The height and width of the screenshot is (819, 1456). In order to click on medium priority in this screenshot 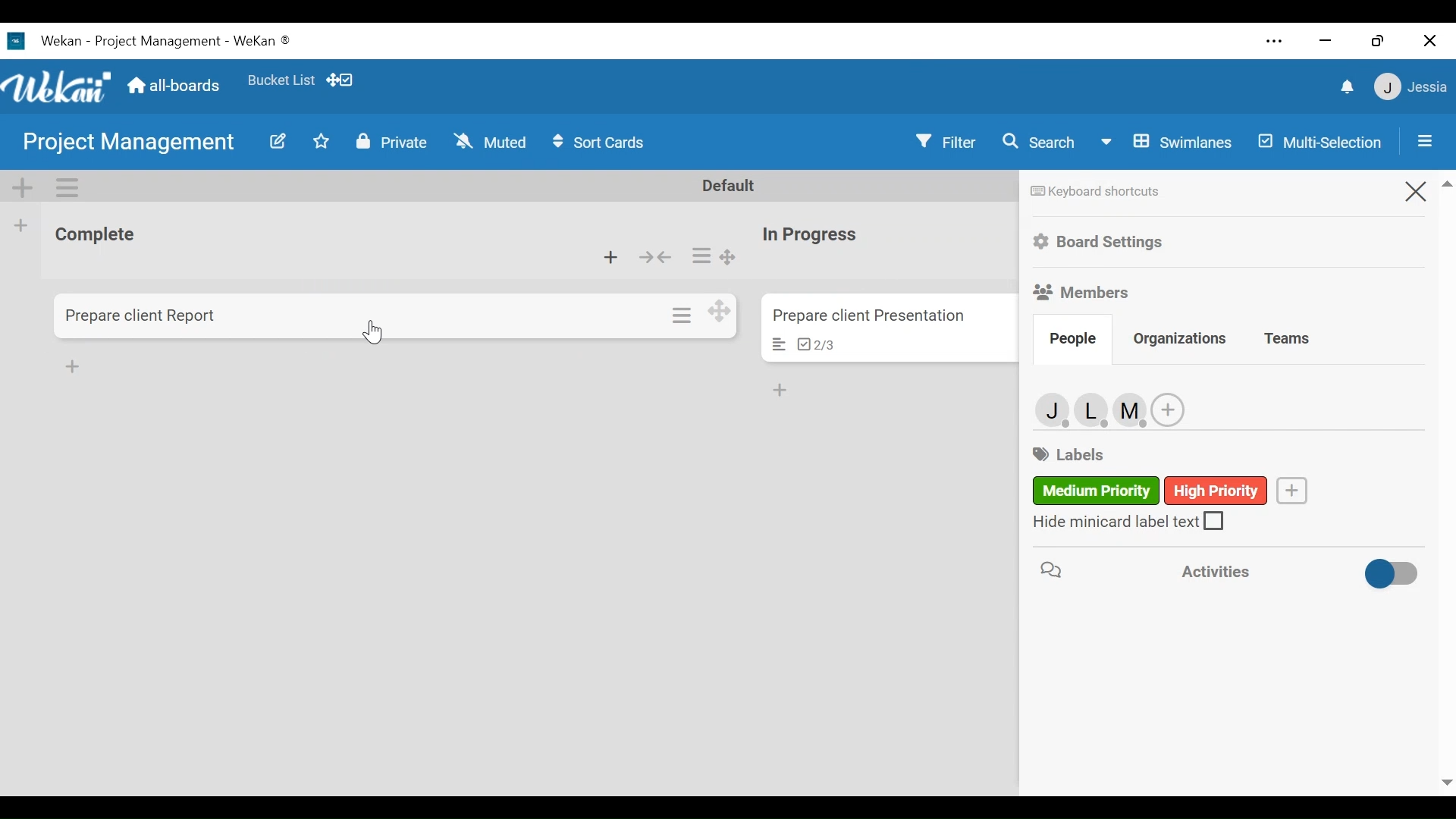, I will do `click(1095, 491)`.